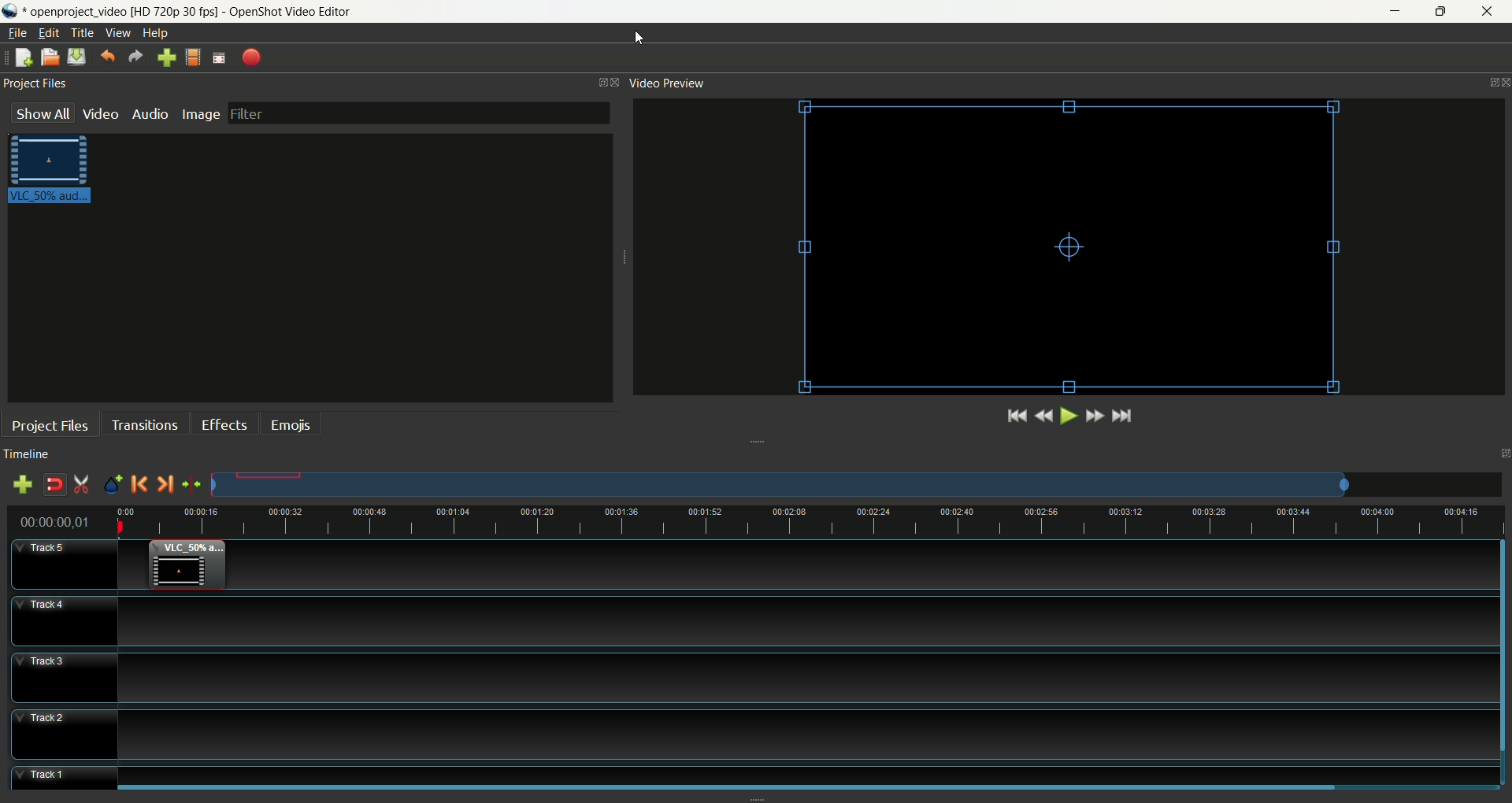 Image resolution: width=1512 pixels, height=803 pixels. What do you see at coordinates (291, 424) in the screenshot?
I see `emojis` at bounding box center [291, 424].